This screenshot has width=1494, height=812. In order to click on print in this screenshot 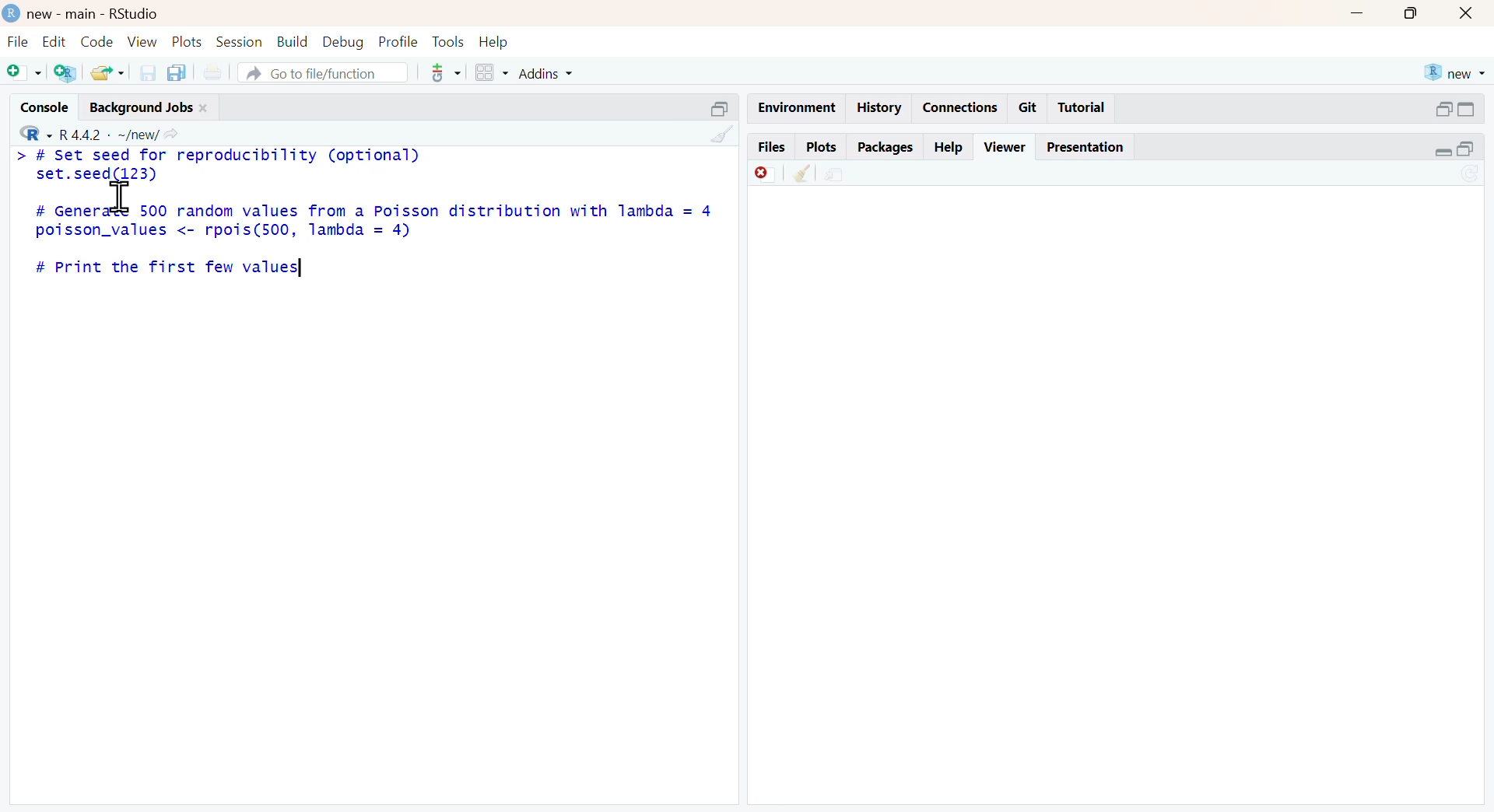, I will do `click(214, 70)`.